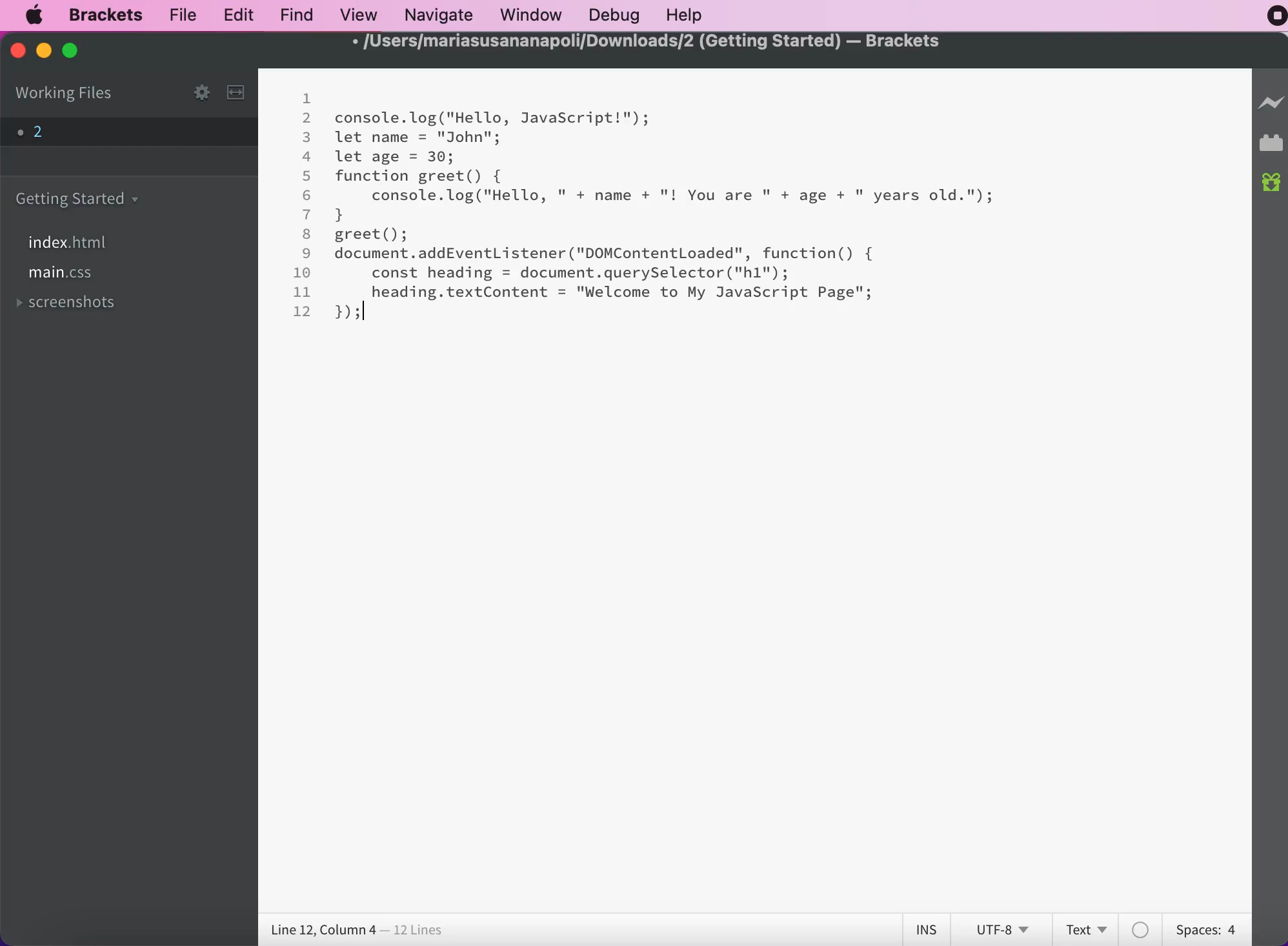  What do you see at coordinates (364, 310) in the screenshot?
I see `cursor` at bounding box center [364, 310].